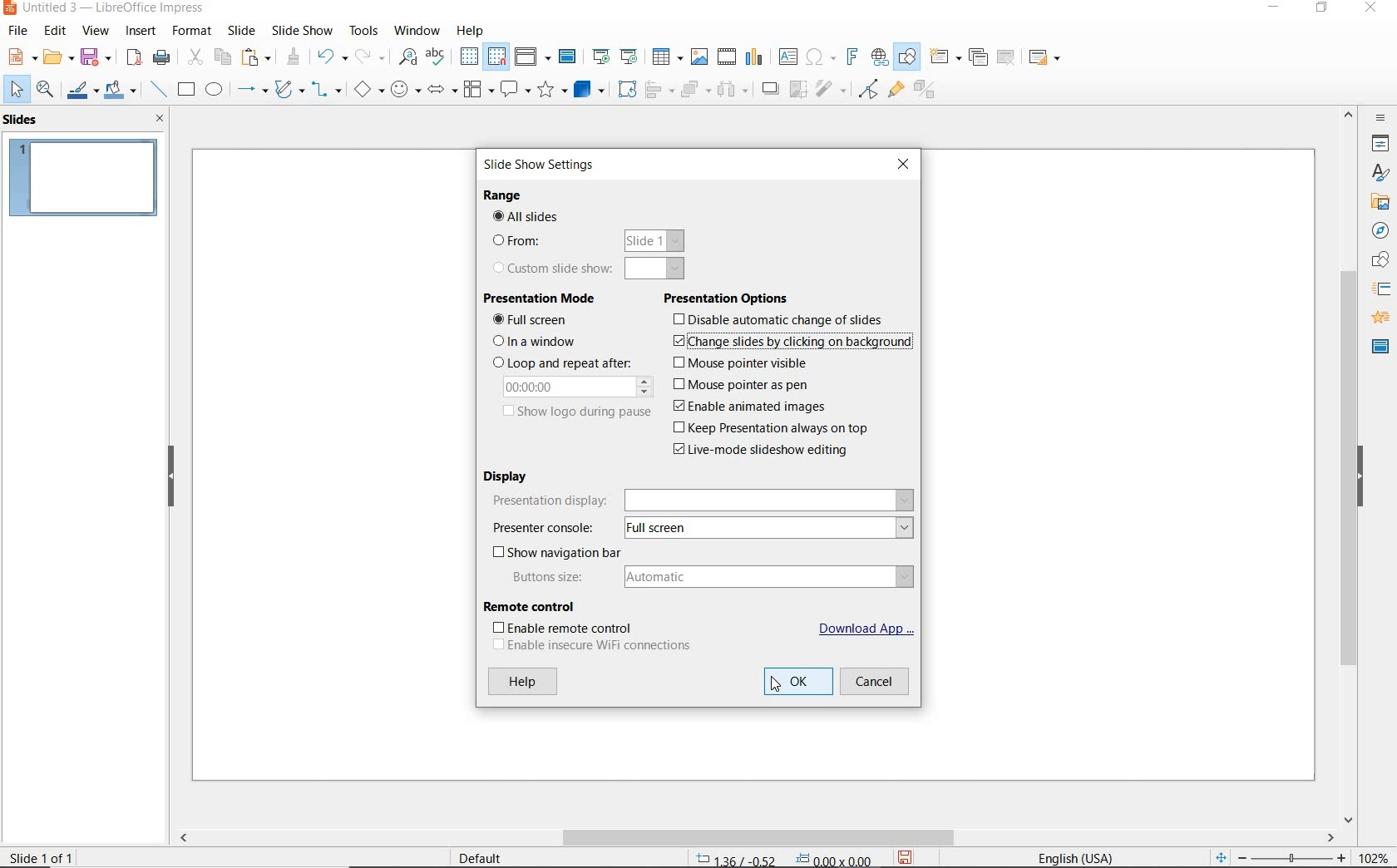  Describe the element at coordinates (629, 56) in the screenshot. I see `START FROM CURRENT SLIDE` at that location.